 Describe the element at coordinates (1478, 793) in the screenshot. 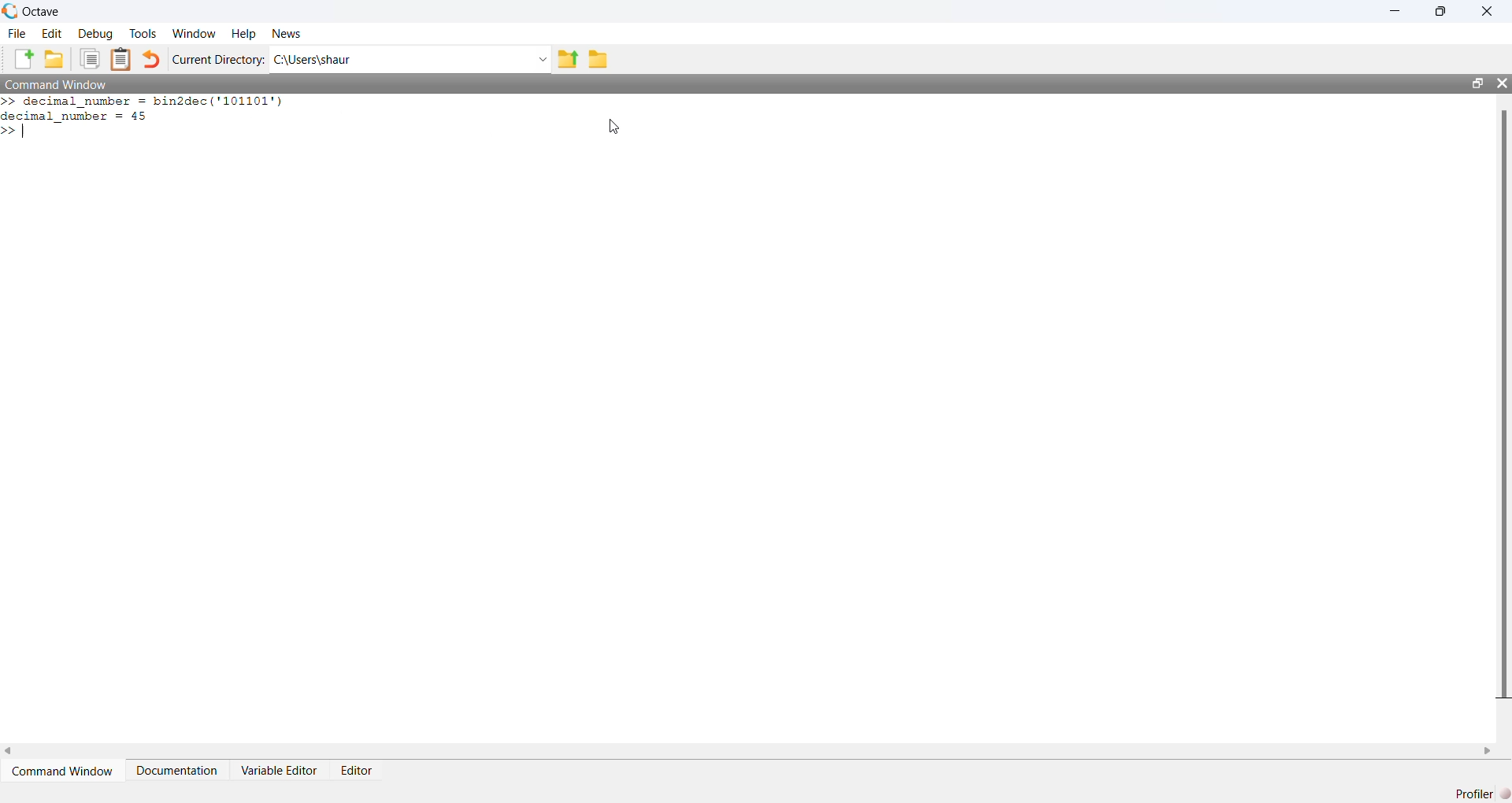

I see `Profiler` at that location.